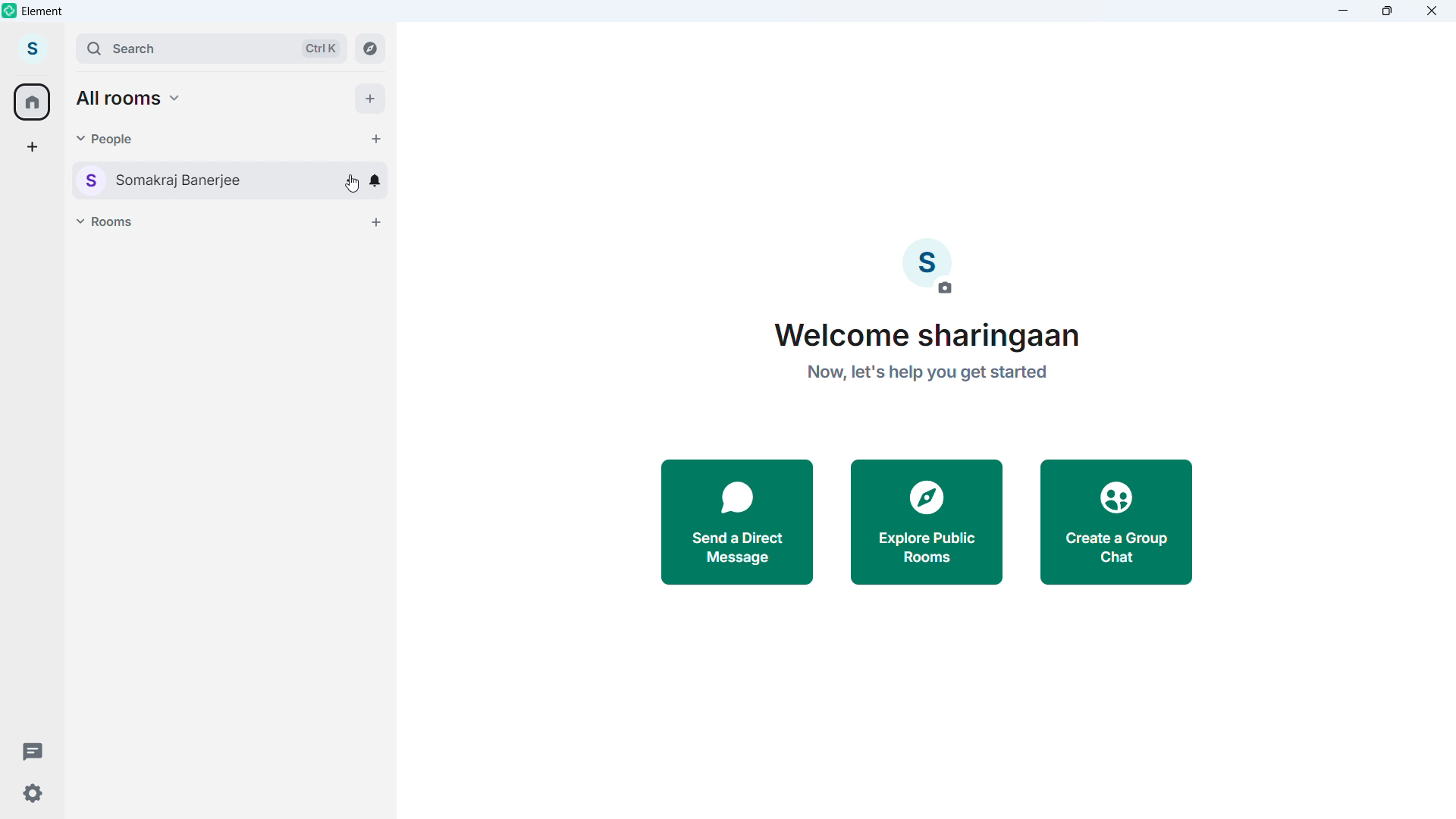 The width and height of the screenshot is (1456, 819). What do you see at coordinates (926, 524) in the screenshot?
I see `Explore public rooms ` at bounding box center [926, 524].